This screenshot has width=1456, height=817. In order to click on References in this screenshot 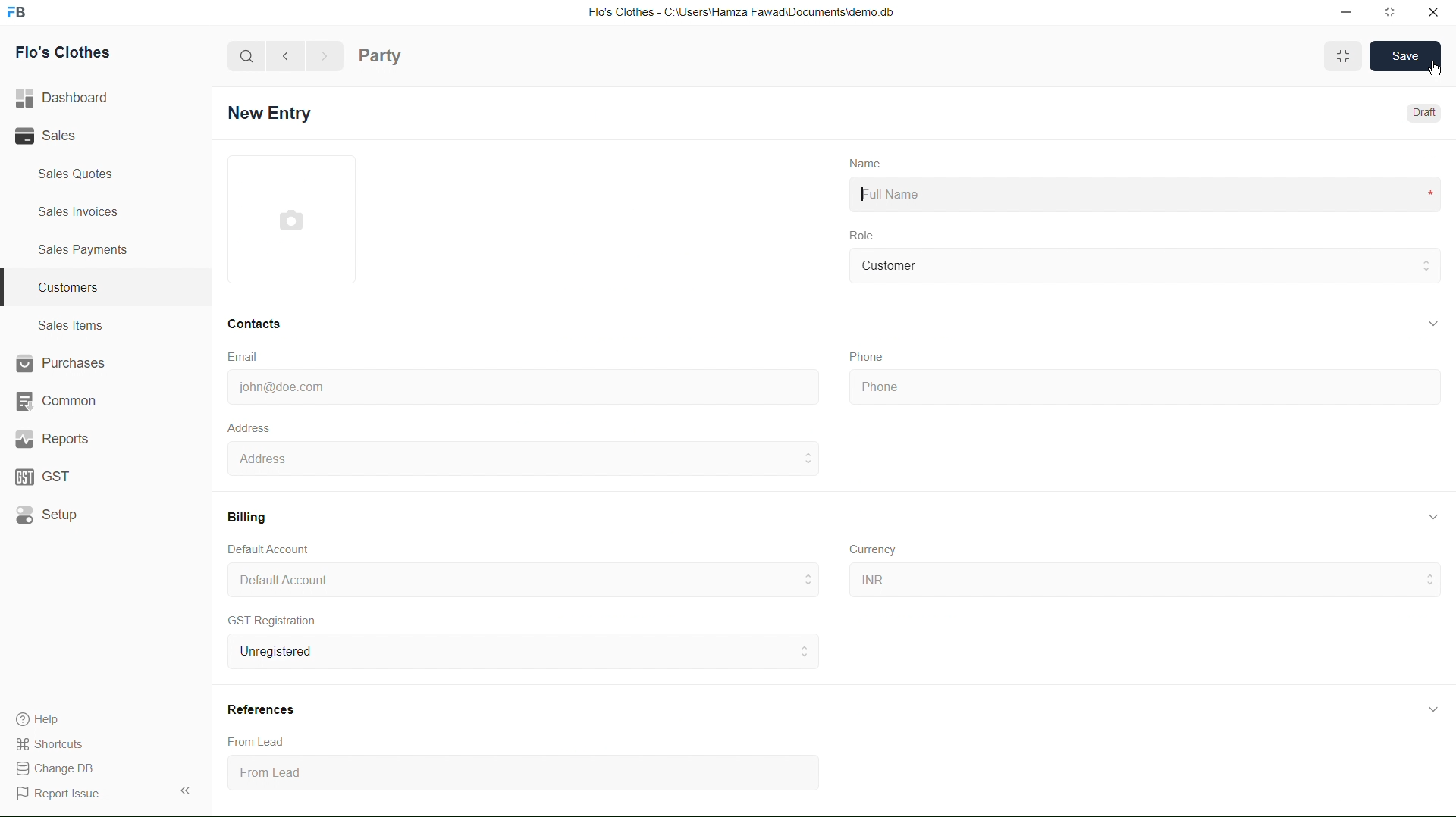, I will do `click(263, 709)`.